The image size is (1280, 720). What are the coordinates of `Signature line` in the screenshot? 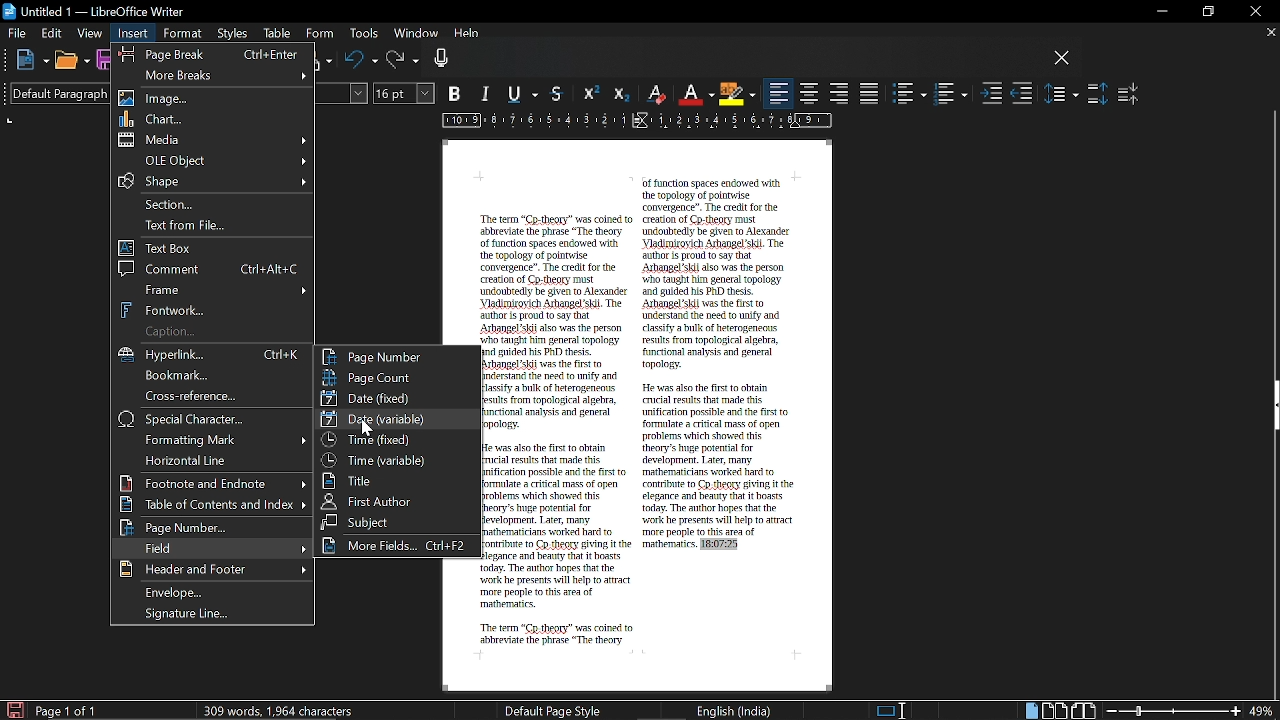 It's located at (217, 614).